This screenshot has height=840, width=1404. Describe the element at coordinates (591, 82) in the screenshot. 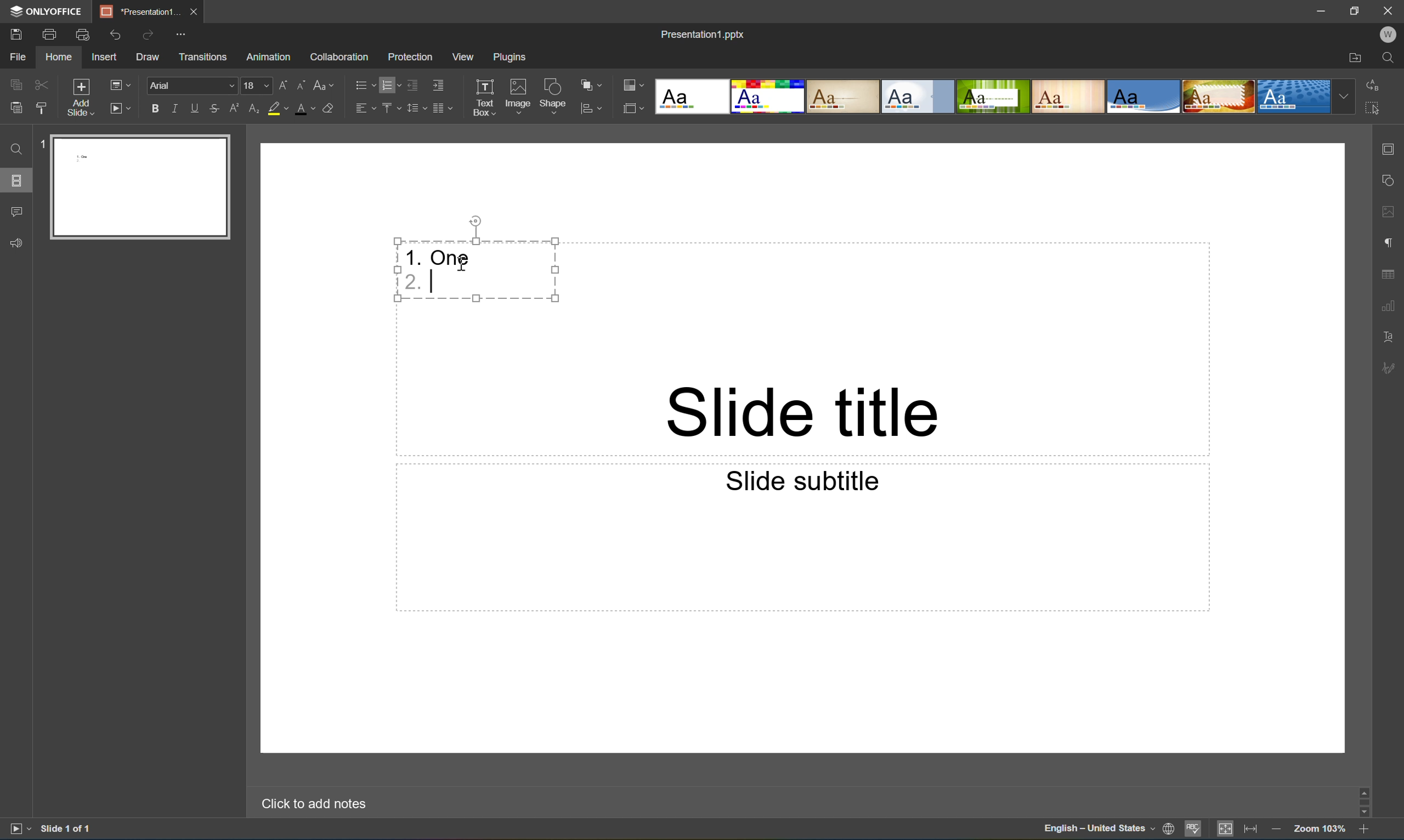

I see `Arrange shape` at that location.